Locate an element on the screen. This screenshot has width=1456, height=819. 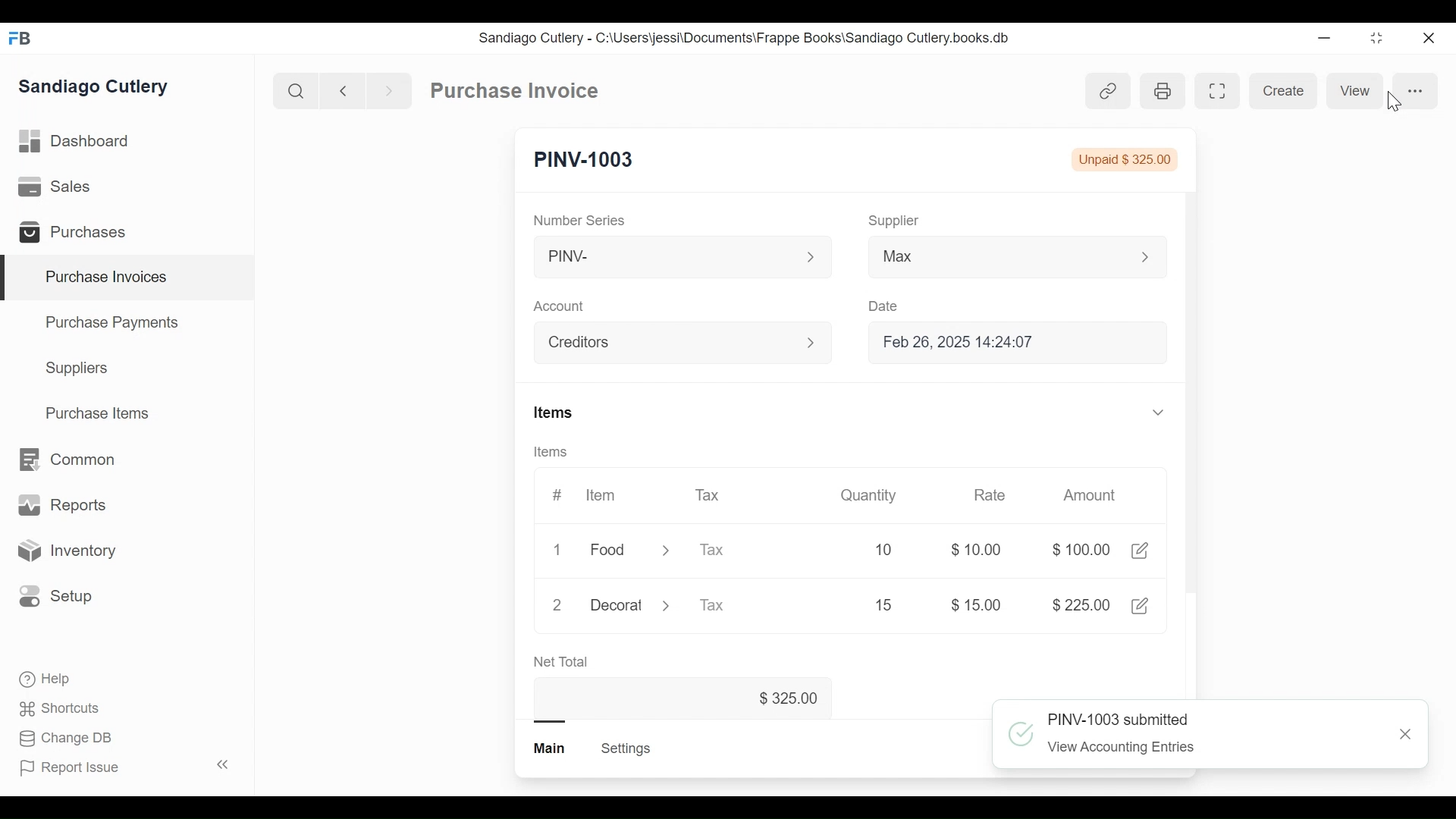
Setup is located at coordinates (56, 595).